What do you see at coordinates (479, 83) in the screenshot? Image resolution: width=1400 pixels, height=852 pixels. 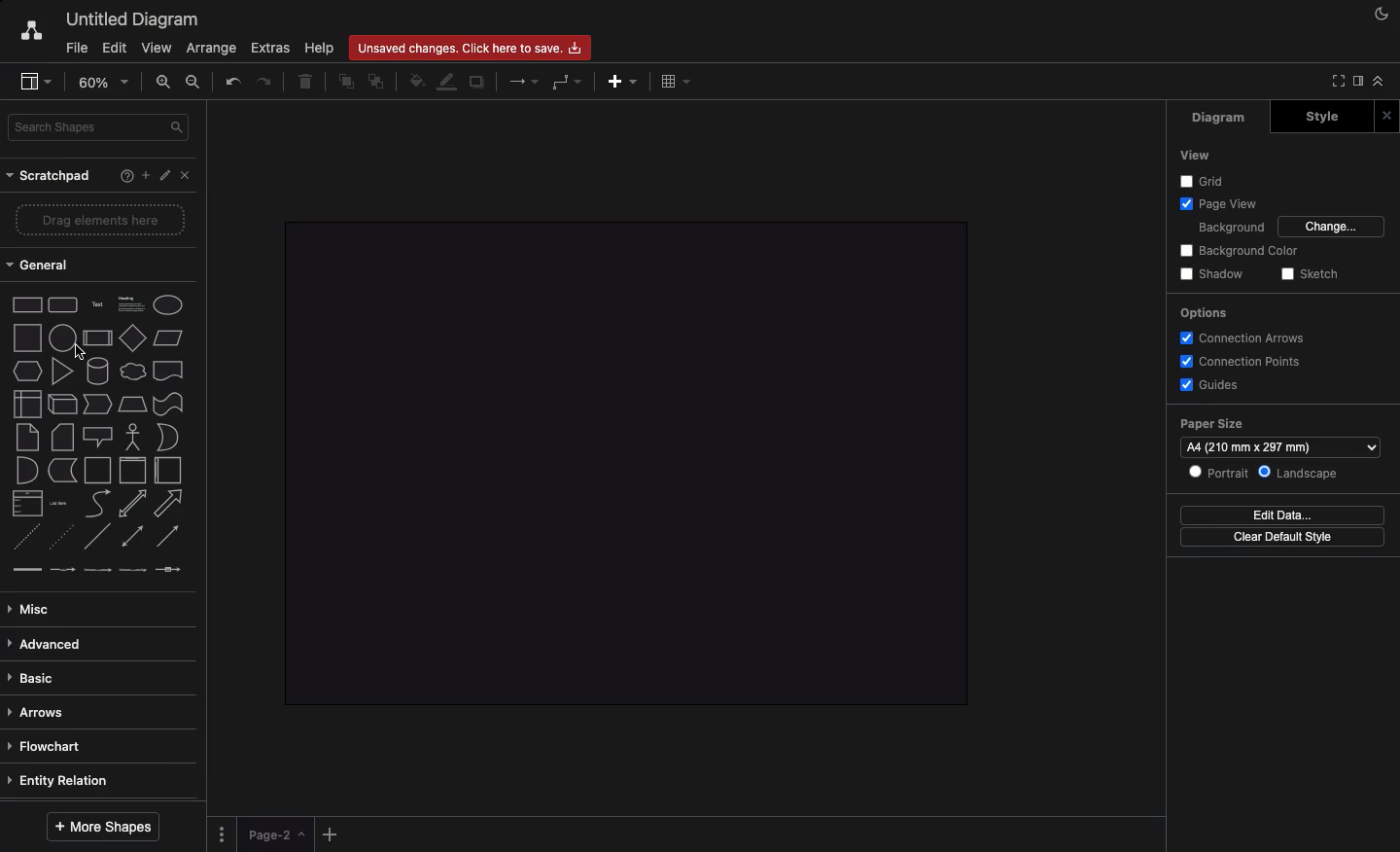 I see `Duplicate` at bounding box center [479, 83].